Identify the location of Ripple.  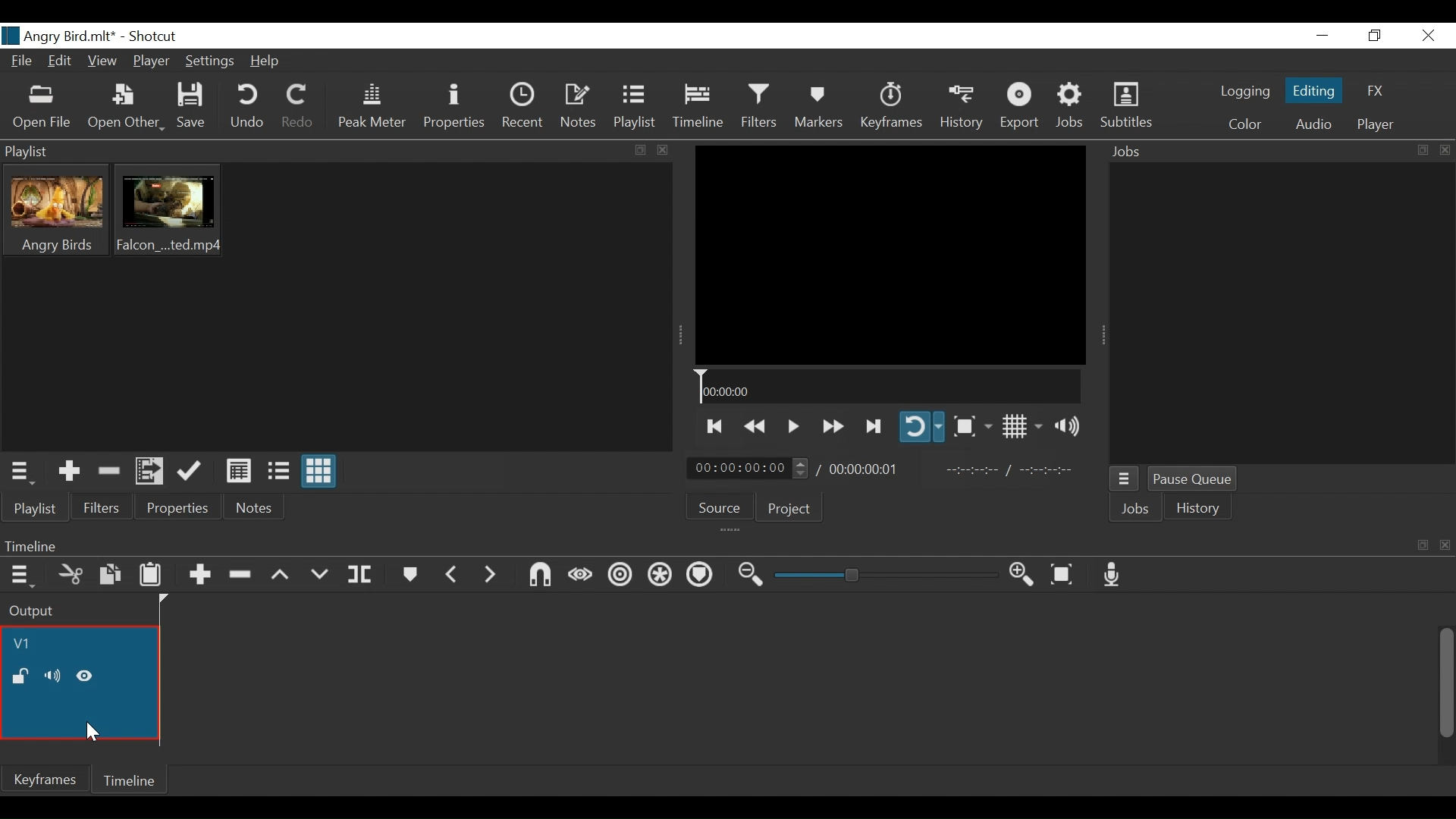
(621, 578).